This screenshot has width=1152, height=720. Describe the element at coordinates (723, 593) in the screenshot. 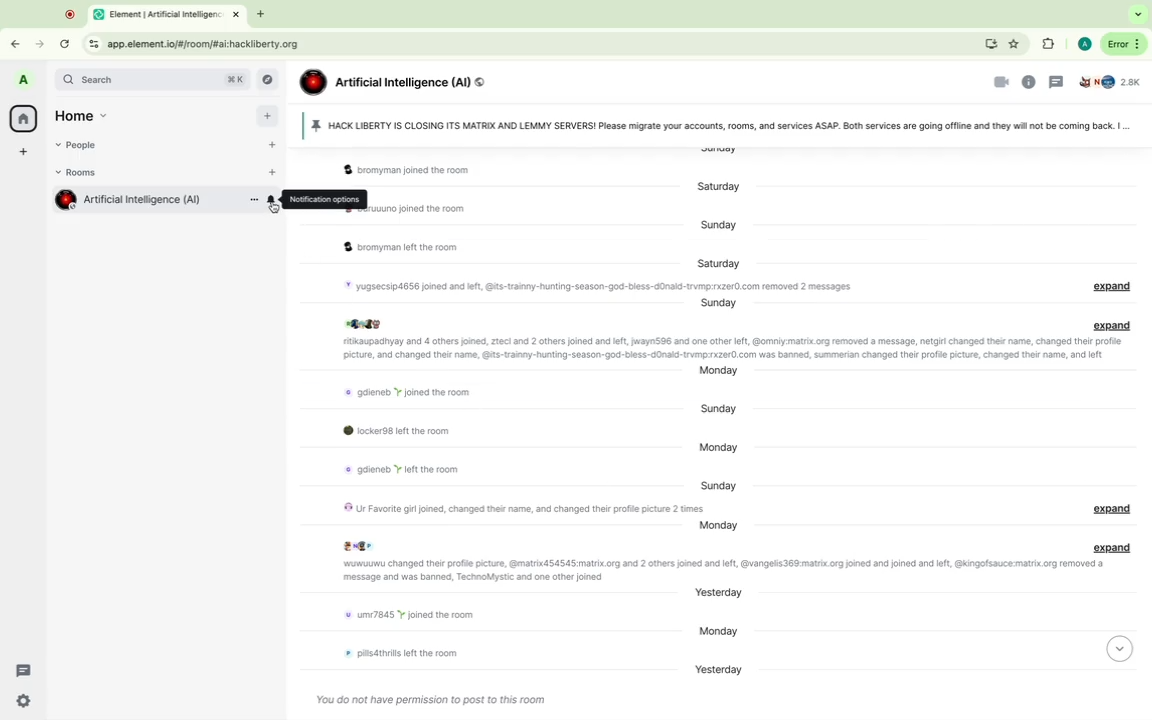

I see `Day` at that location.